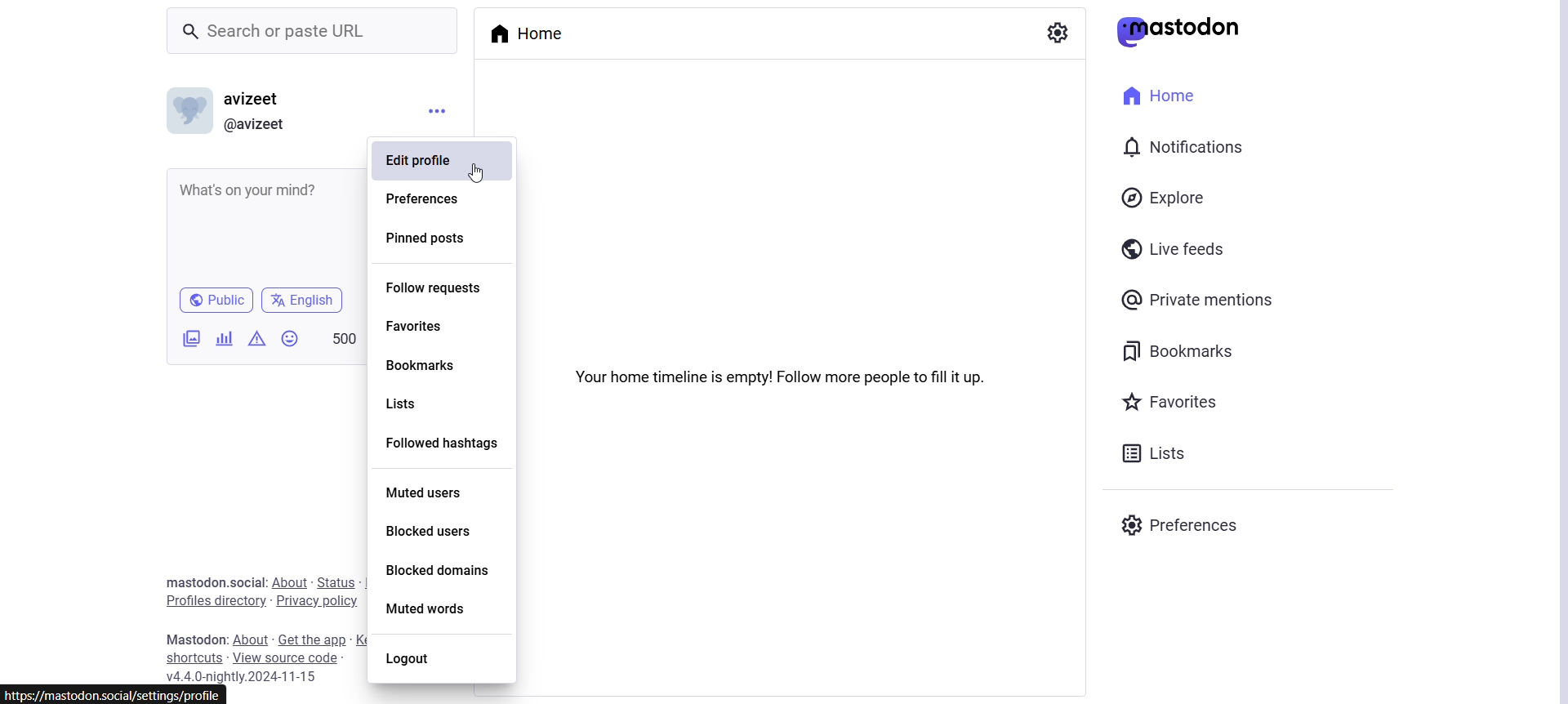 The height and width of the screenshot is (704, 1568). What do you see at coordinates (189, 110) in the screenshot?
I see `Display Picture` at bounding box center [189, 110].